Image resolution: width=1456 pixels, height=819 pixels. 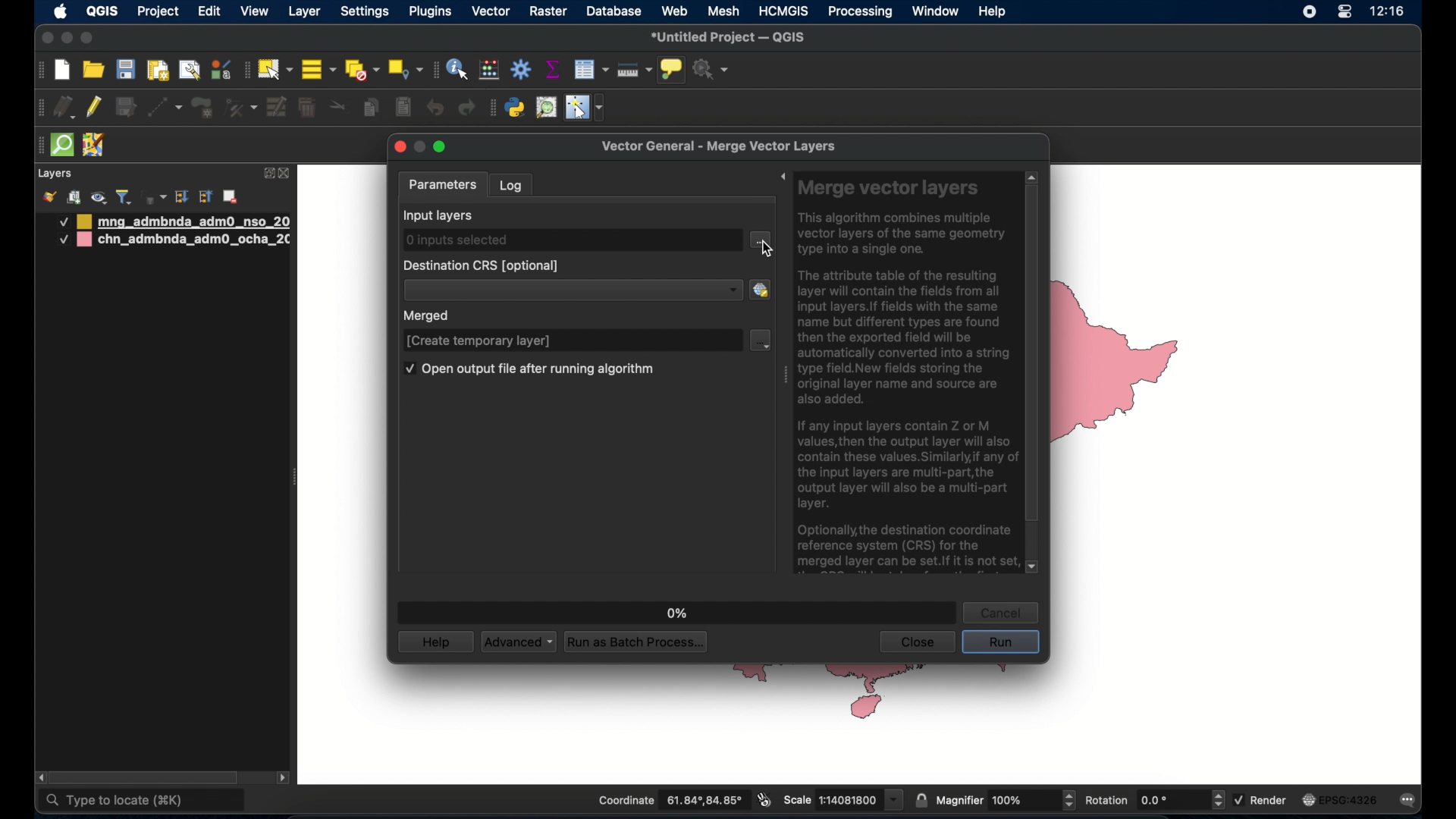 I want to click on plugins toolbar, so click(x=491, y=106).